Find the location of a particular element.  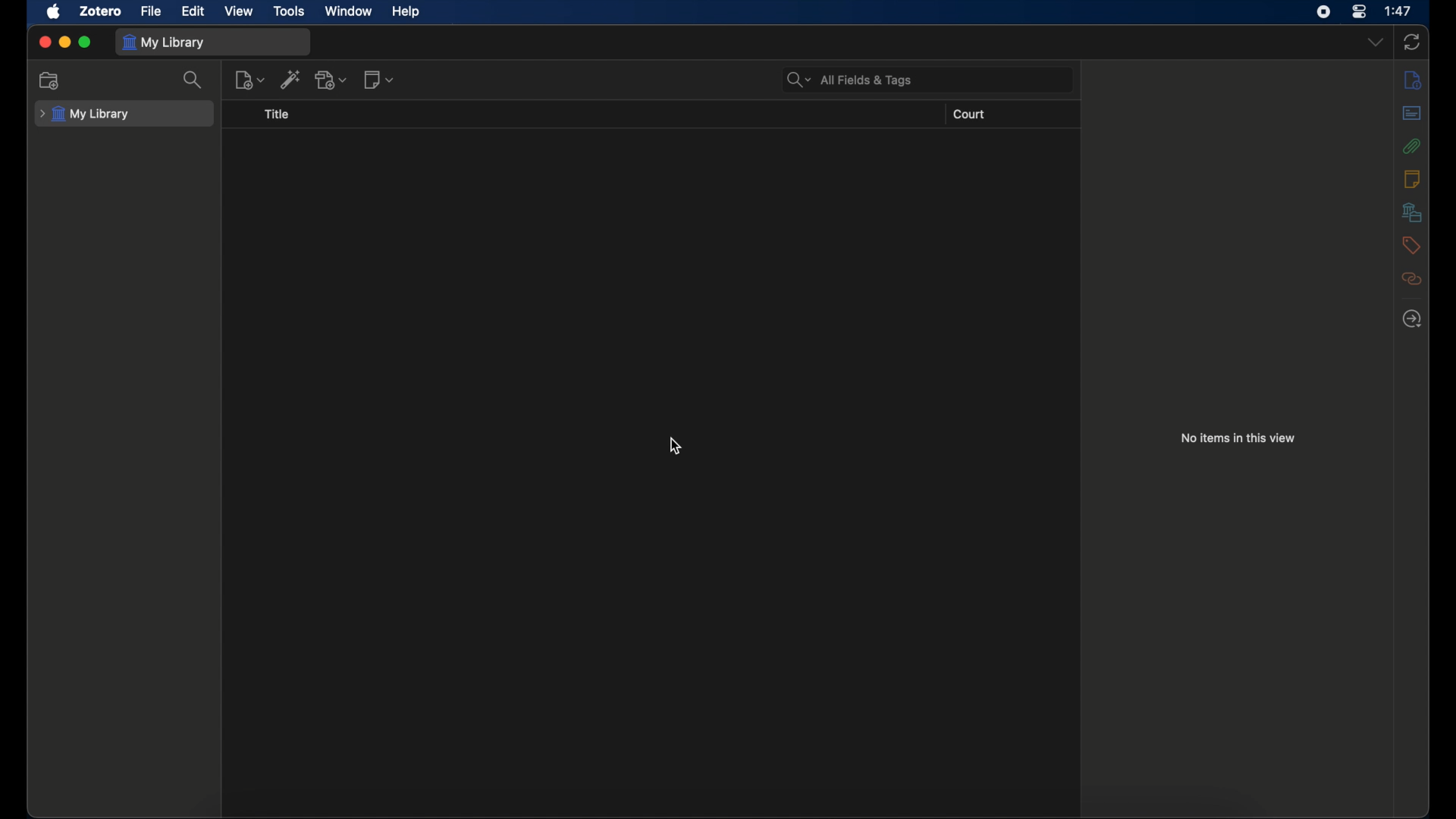

tools is located at coordinates (288, 11).